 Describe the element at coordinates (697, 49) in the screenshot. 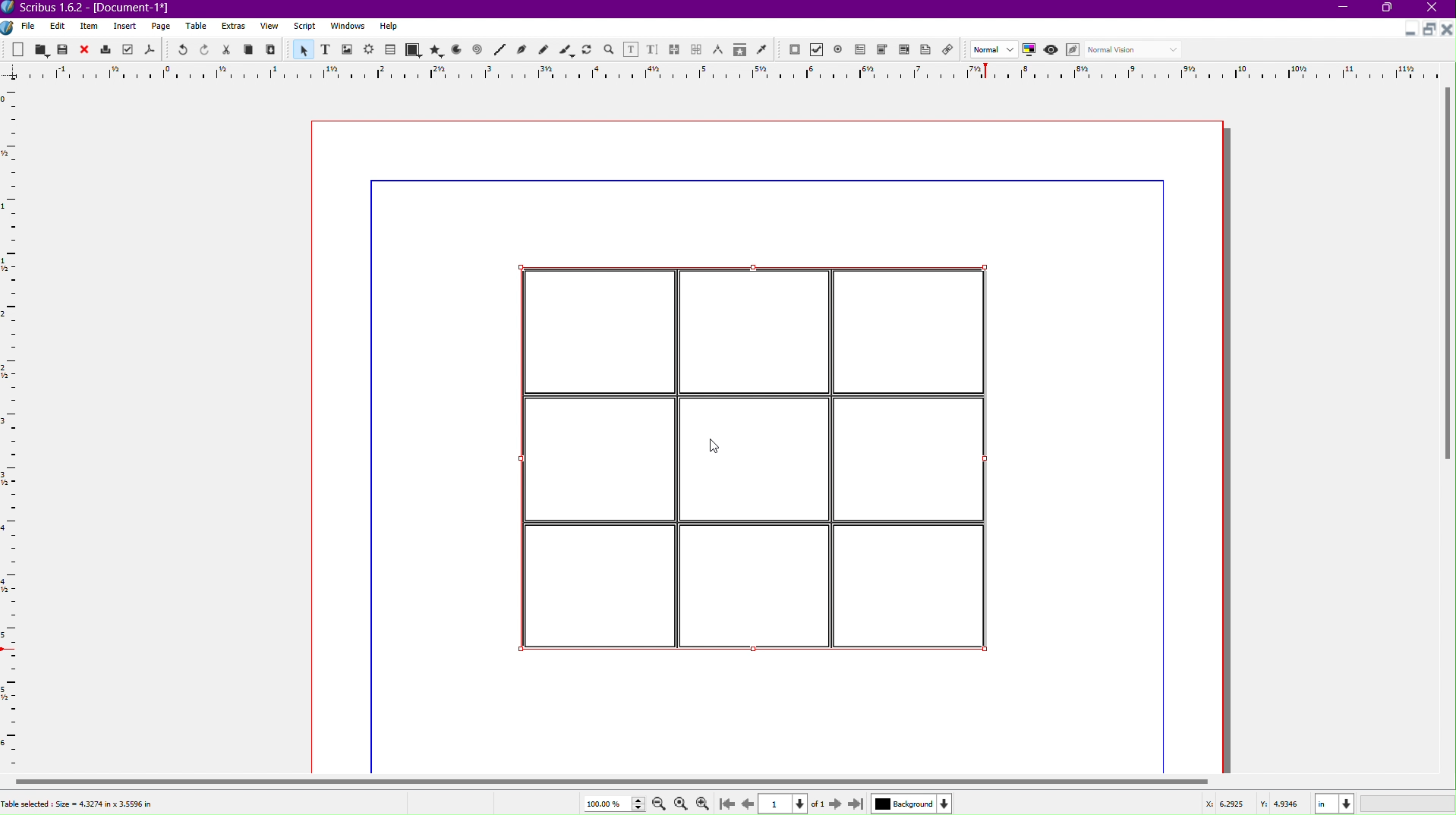

I see `Unlink Text Frames` at that location.